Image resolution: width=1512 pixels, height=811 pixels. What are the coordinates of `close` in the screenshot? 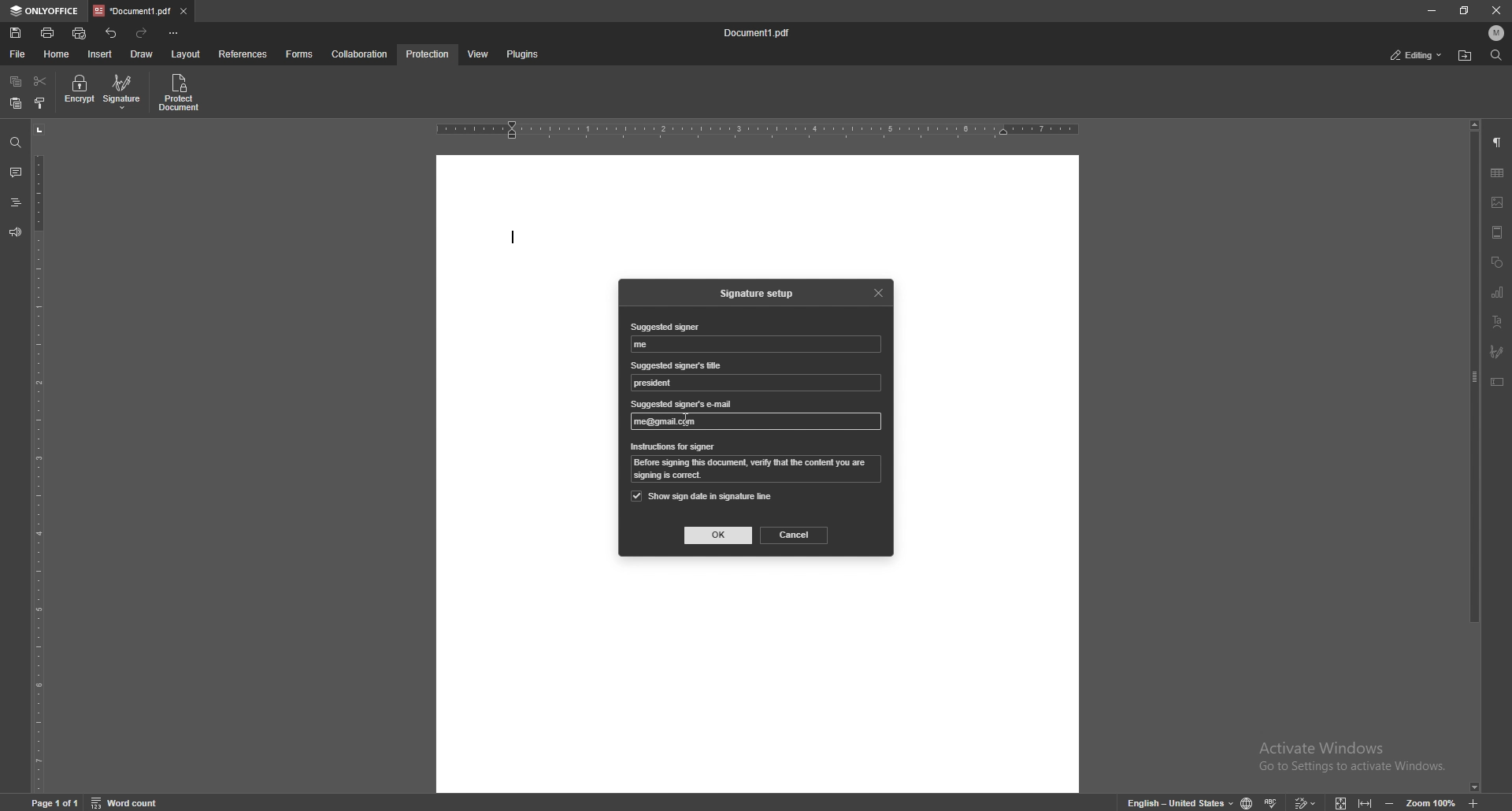 It's located at (880, 291).